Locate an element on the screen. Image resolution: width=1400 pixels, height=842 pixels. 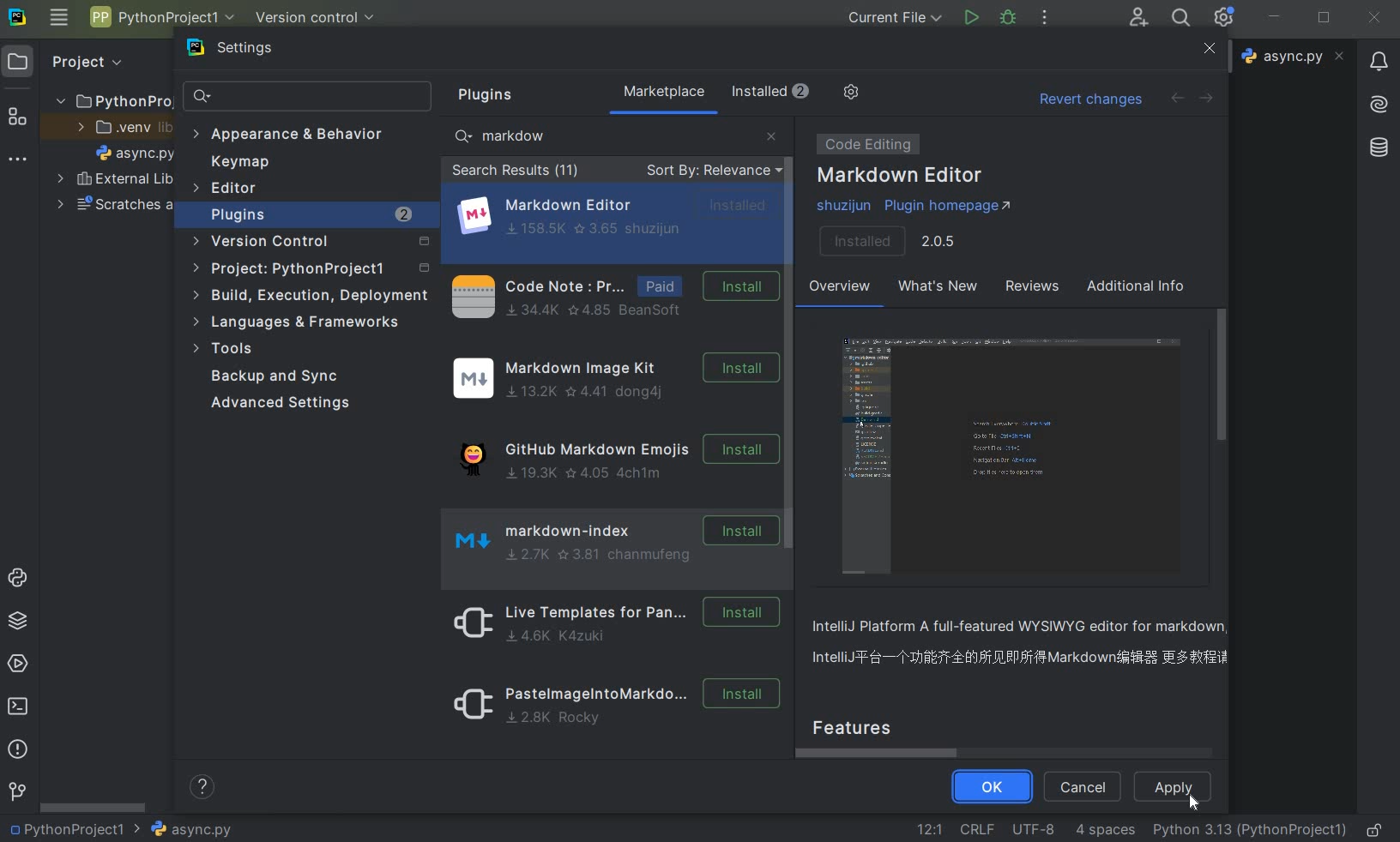
notifications is located at coordinates (1380, 63).